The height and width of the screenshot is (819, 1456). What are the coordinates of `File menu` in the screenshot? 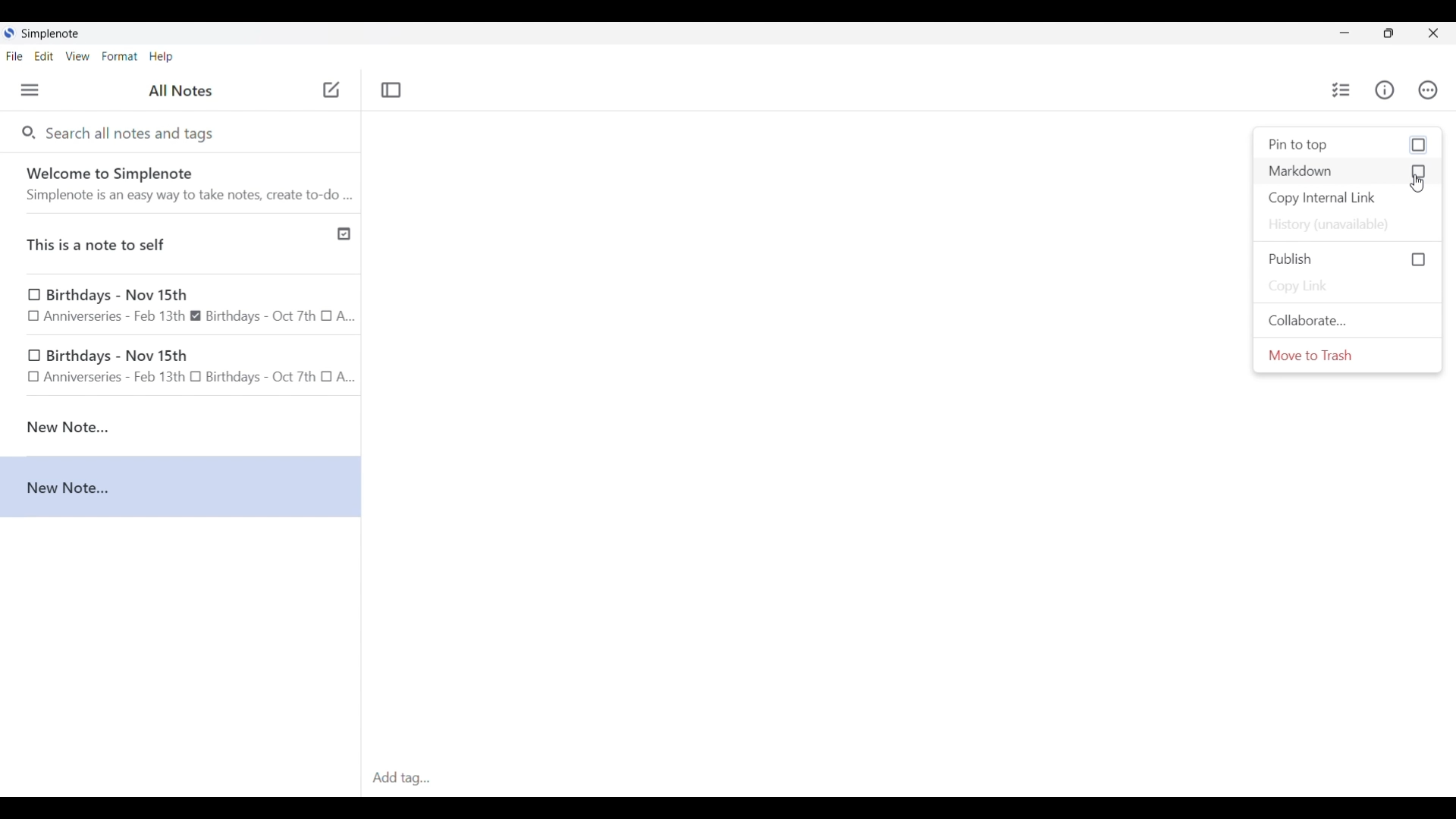 It's located at (14, 55).